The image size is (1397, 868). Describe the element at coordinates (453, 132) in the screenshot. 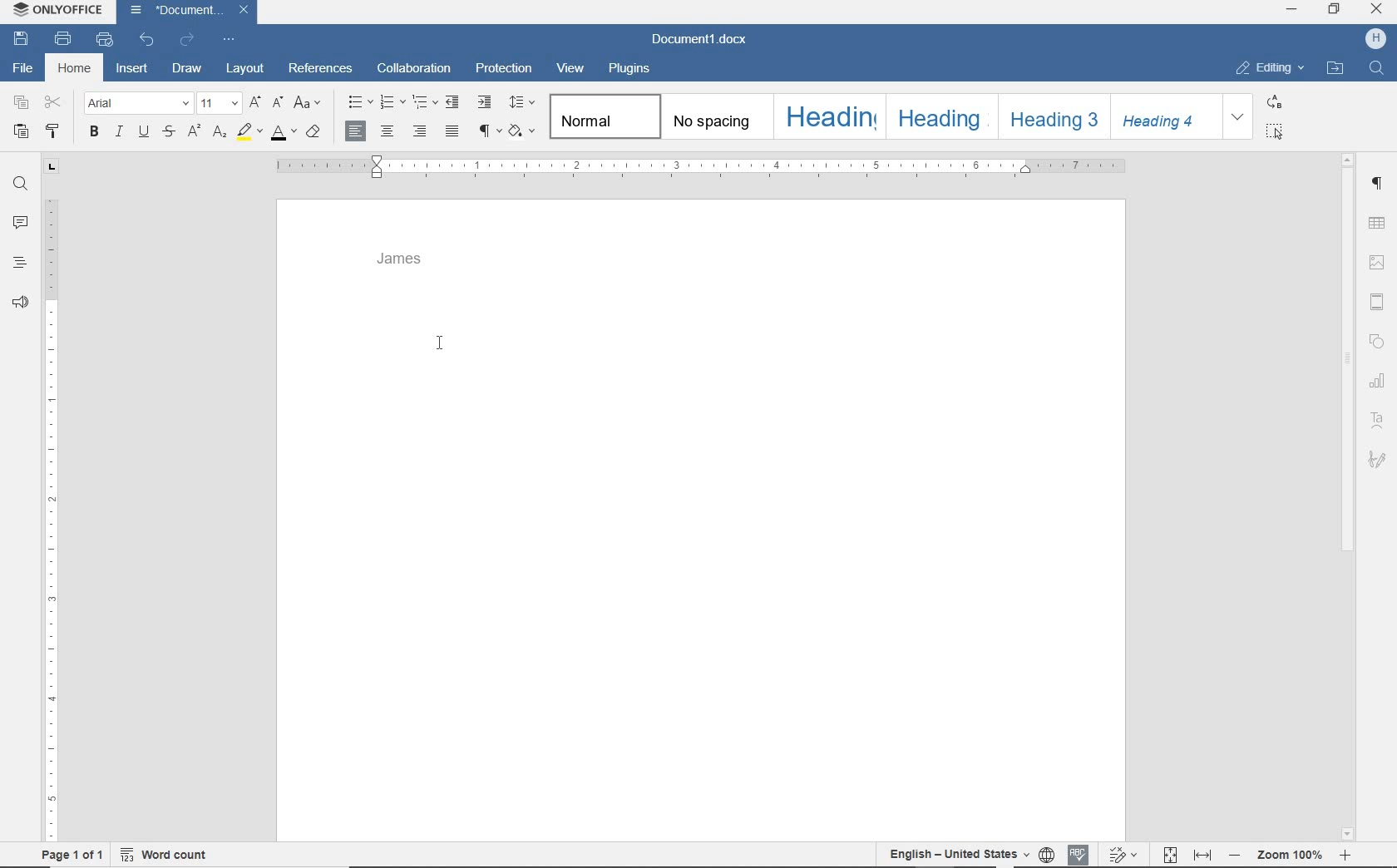

I see `justified` at that location.